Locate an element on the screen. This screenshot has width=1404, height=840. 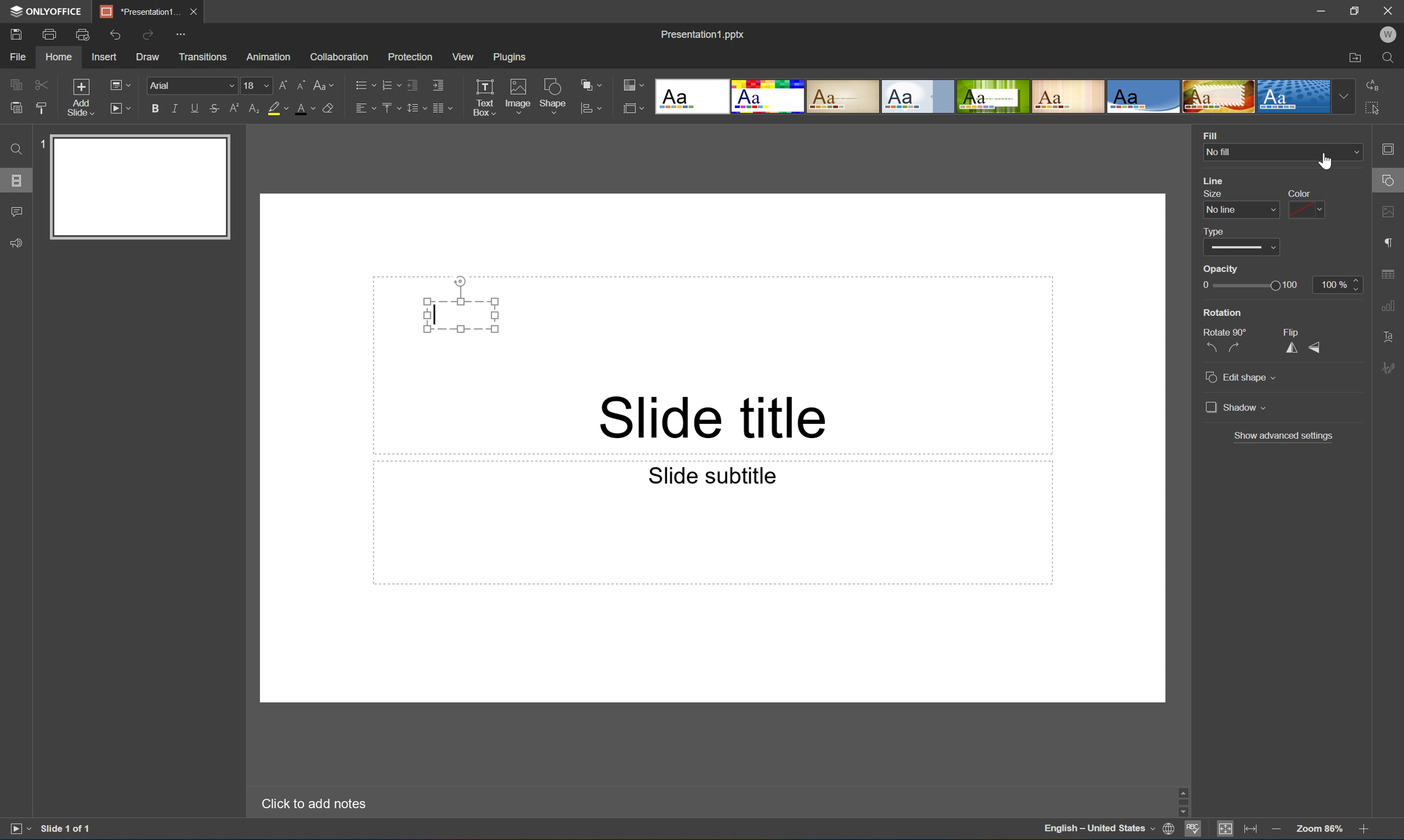
Horizontal align is located at coordinates (365, 109).